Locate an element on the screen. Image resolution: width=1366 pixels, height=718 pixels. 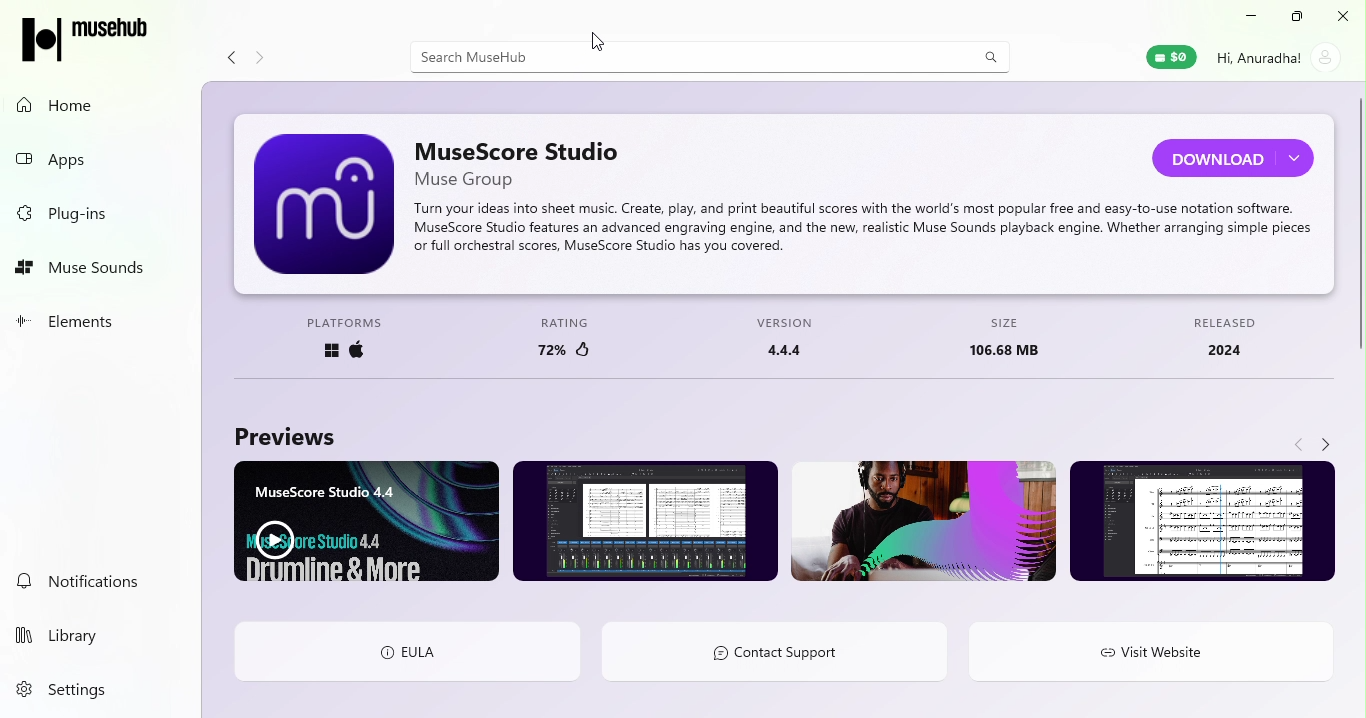
Visit website is located at coordinates (1149, 656).